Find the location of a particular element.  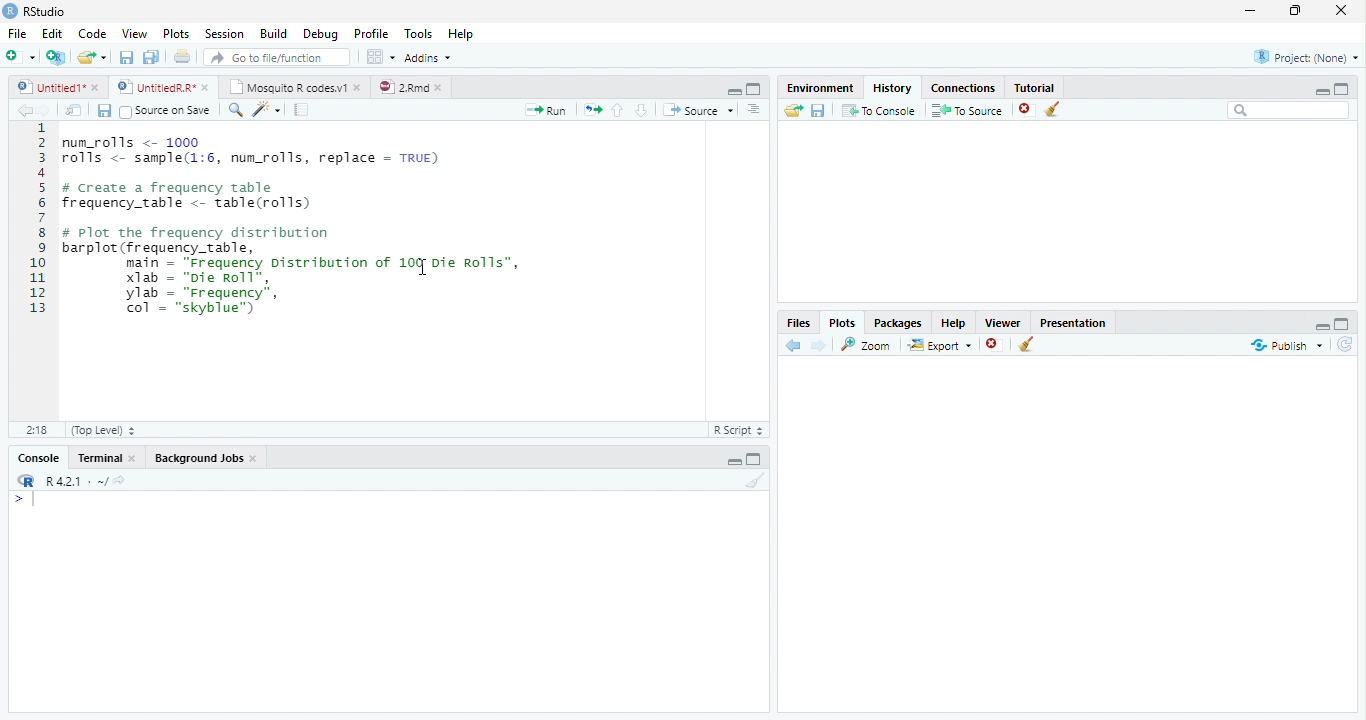

Ungitied1* is located at coordinates (57, 87).